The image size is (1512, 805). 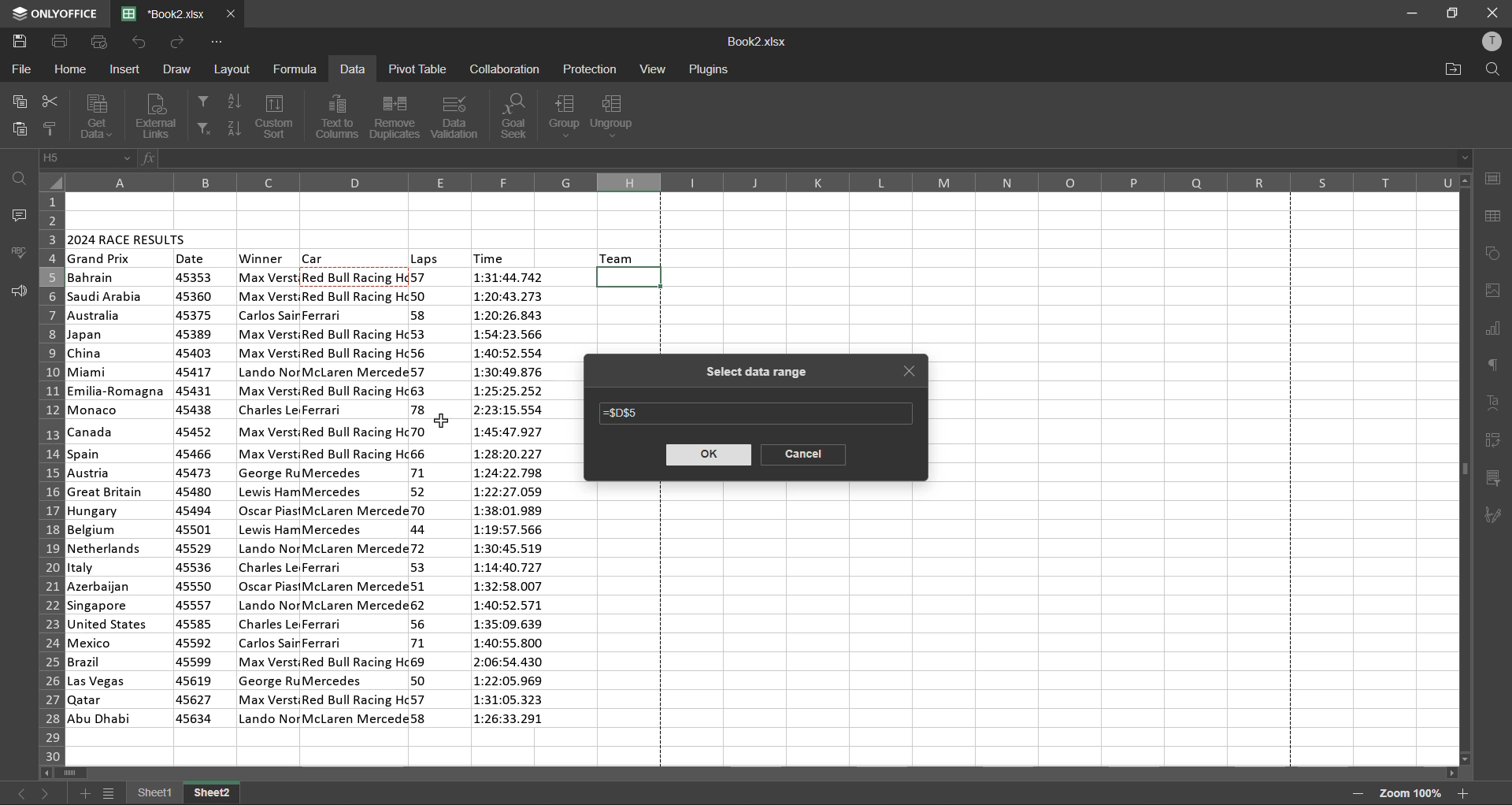 What do you see at coordinates (160, 115) in the screenshot?
I see `external links` at bounding box center [160, 115].